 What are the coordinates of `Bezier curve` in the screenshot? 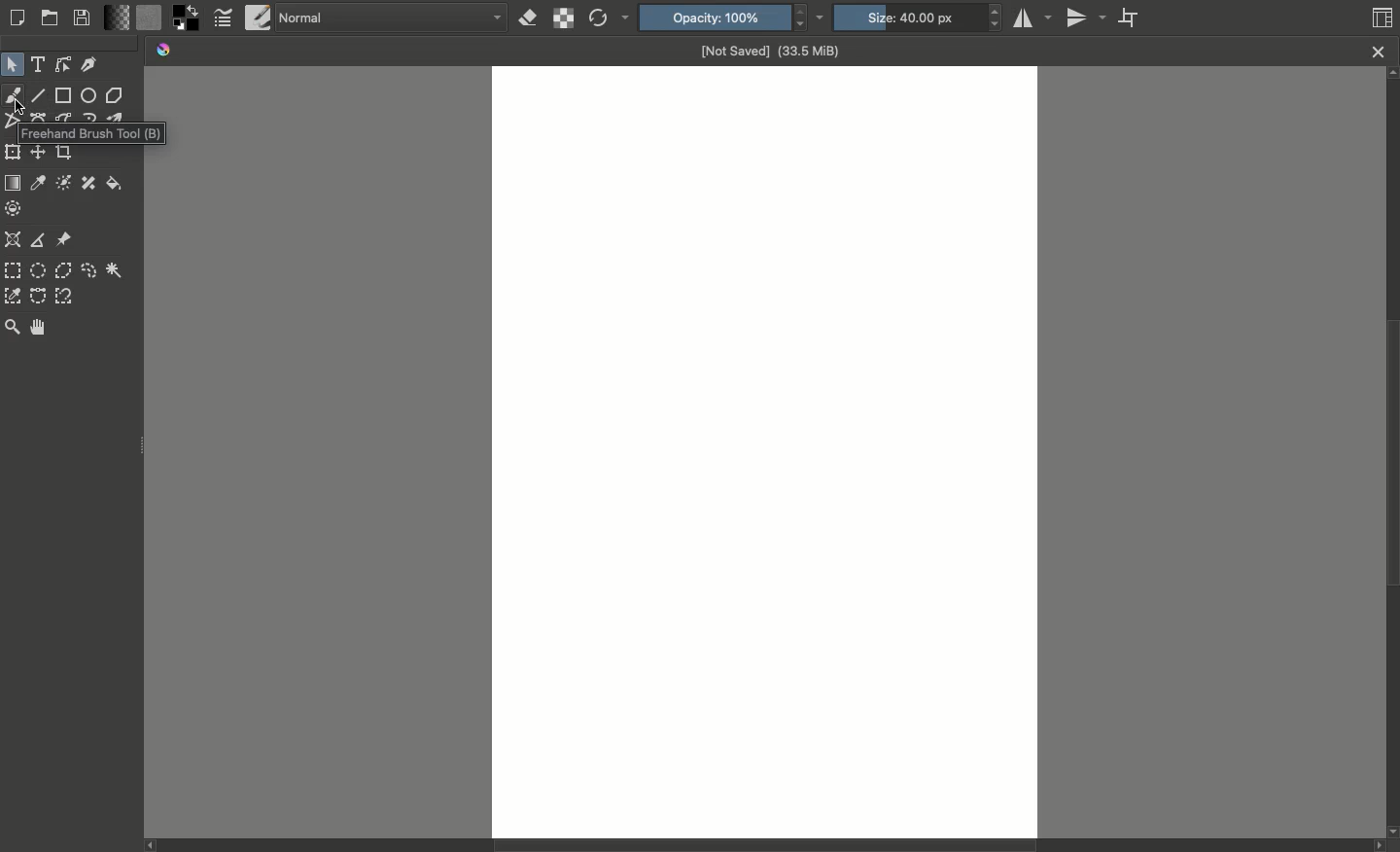 It's located at (39, 117).